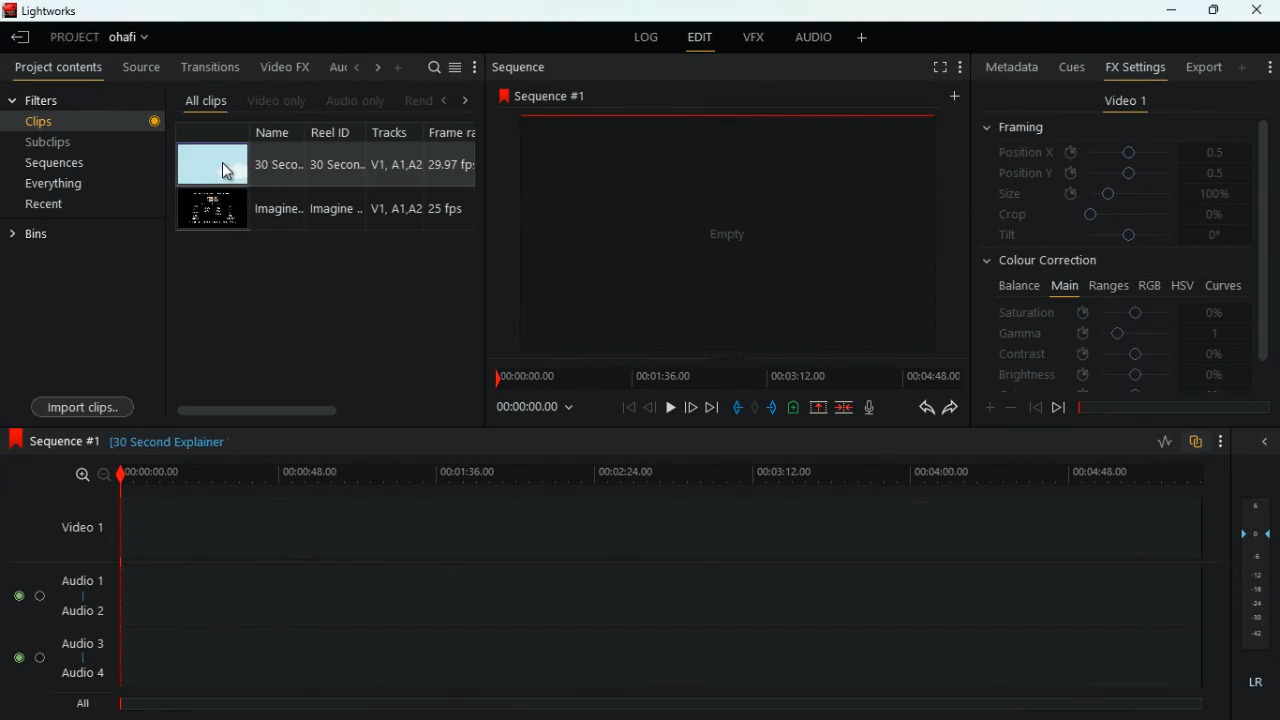 Image resolution: width=1280 pixels, height=720 pixels. I want to click on rend, so click(414, 100).